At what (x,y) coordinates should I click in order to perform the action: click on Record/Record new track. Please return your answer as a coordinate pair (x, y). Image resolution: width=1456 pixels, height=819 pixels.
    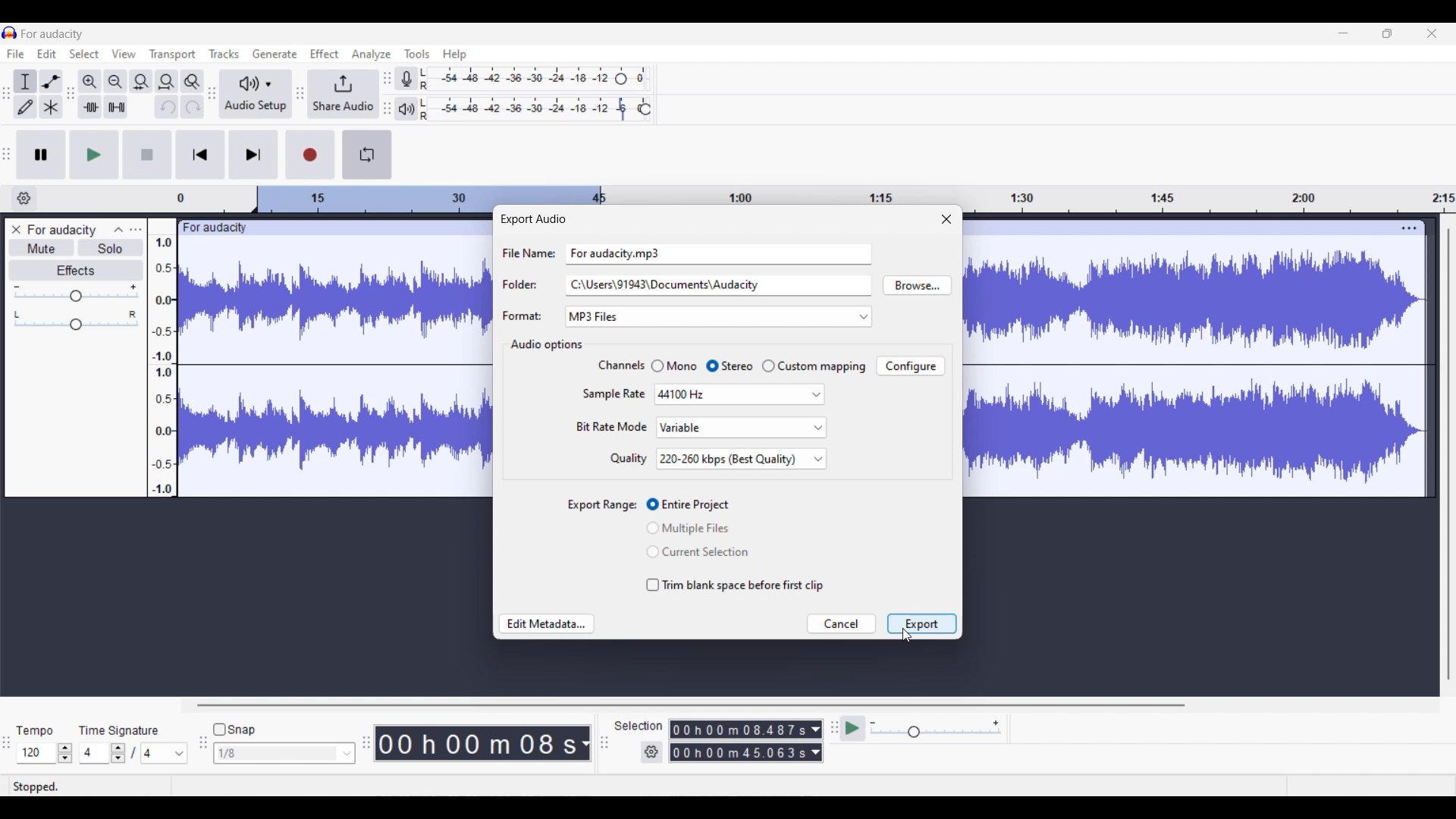
    Looking at the image, I should click on (311, 155).